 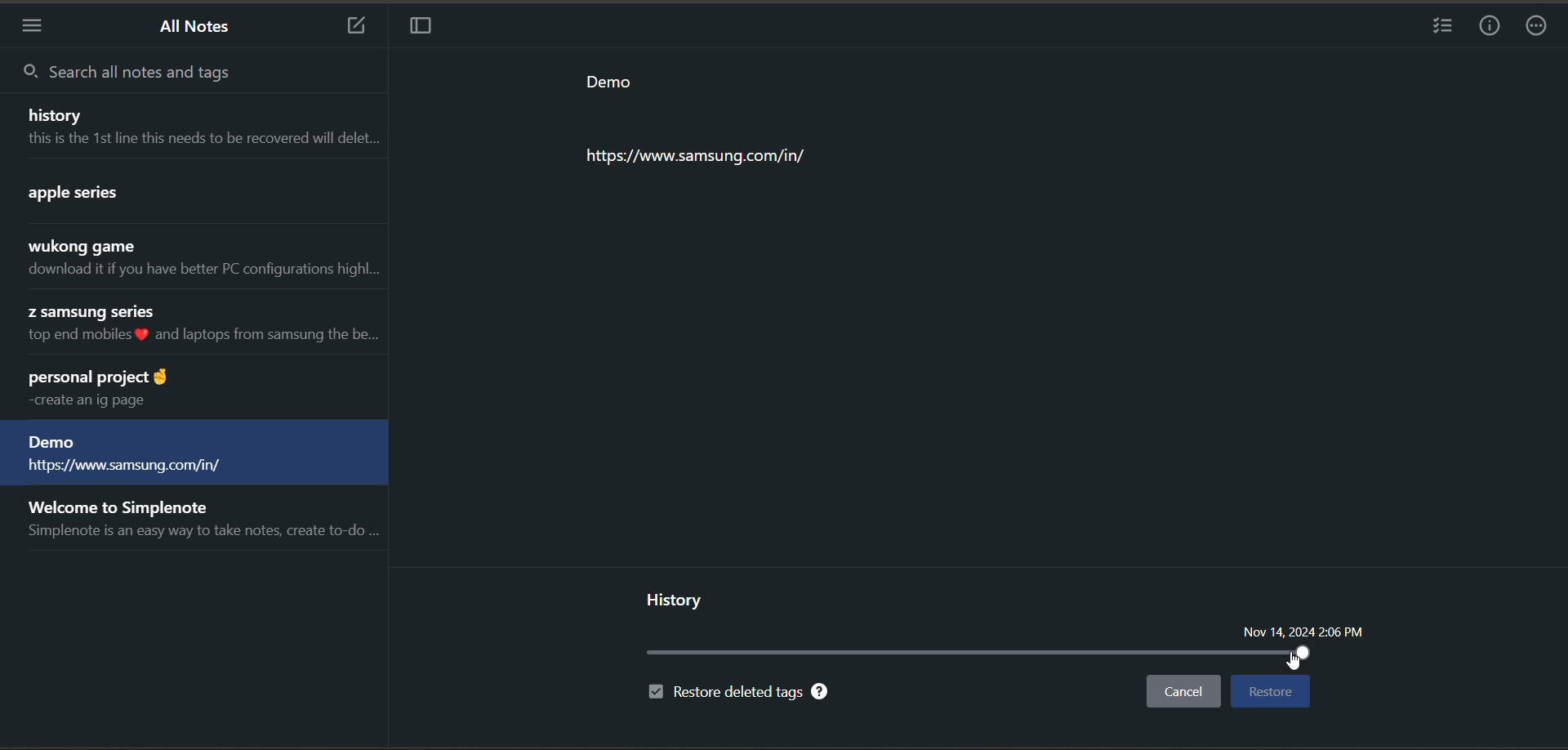 What do you see at coordinates (348, 25) in the screenshot?
I see `new note` at bounding box center [348, 25].